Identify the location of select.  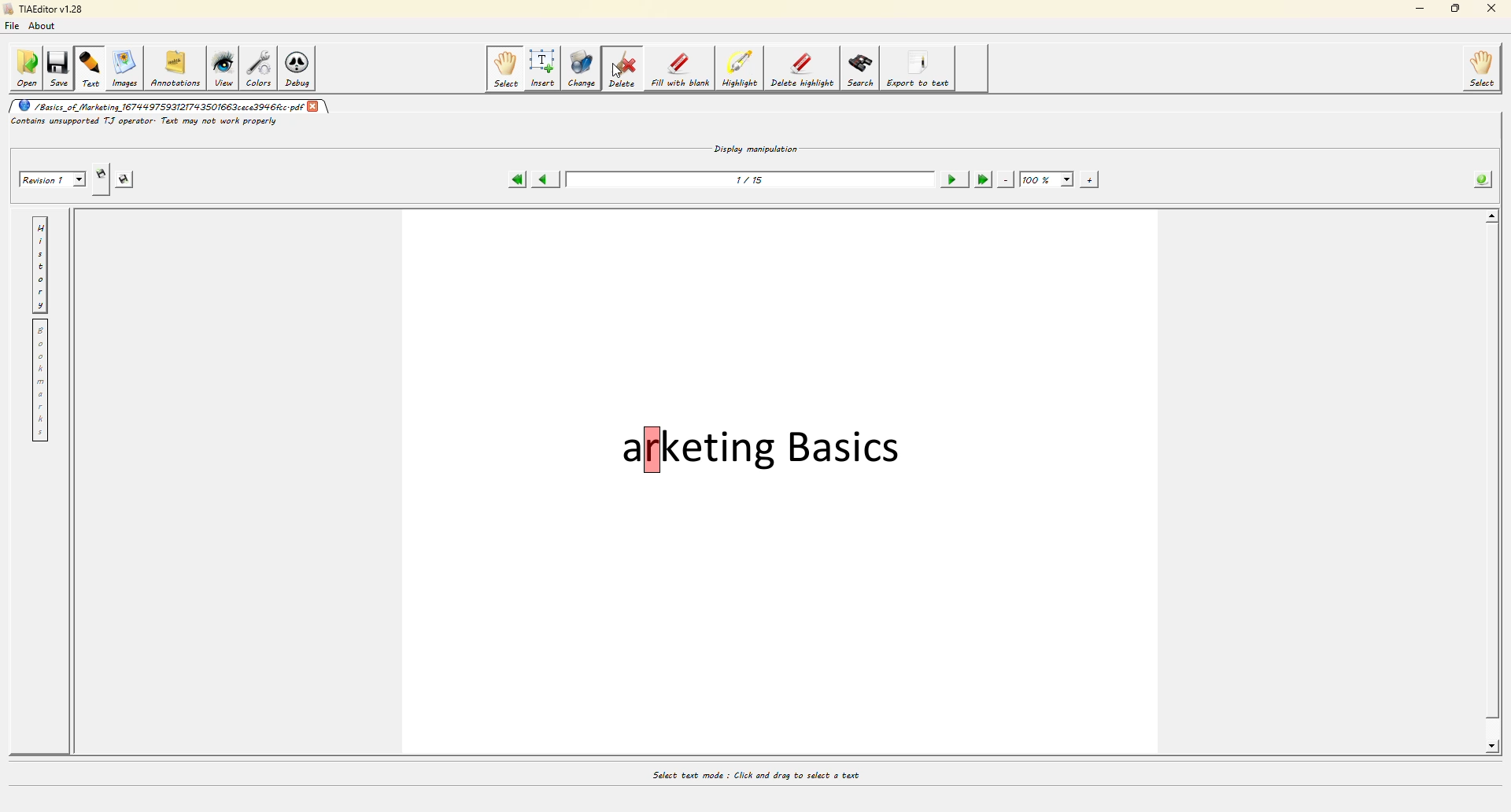
(1483, 69).